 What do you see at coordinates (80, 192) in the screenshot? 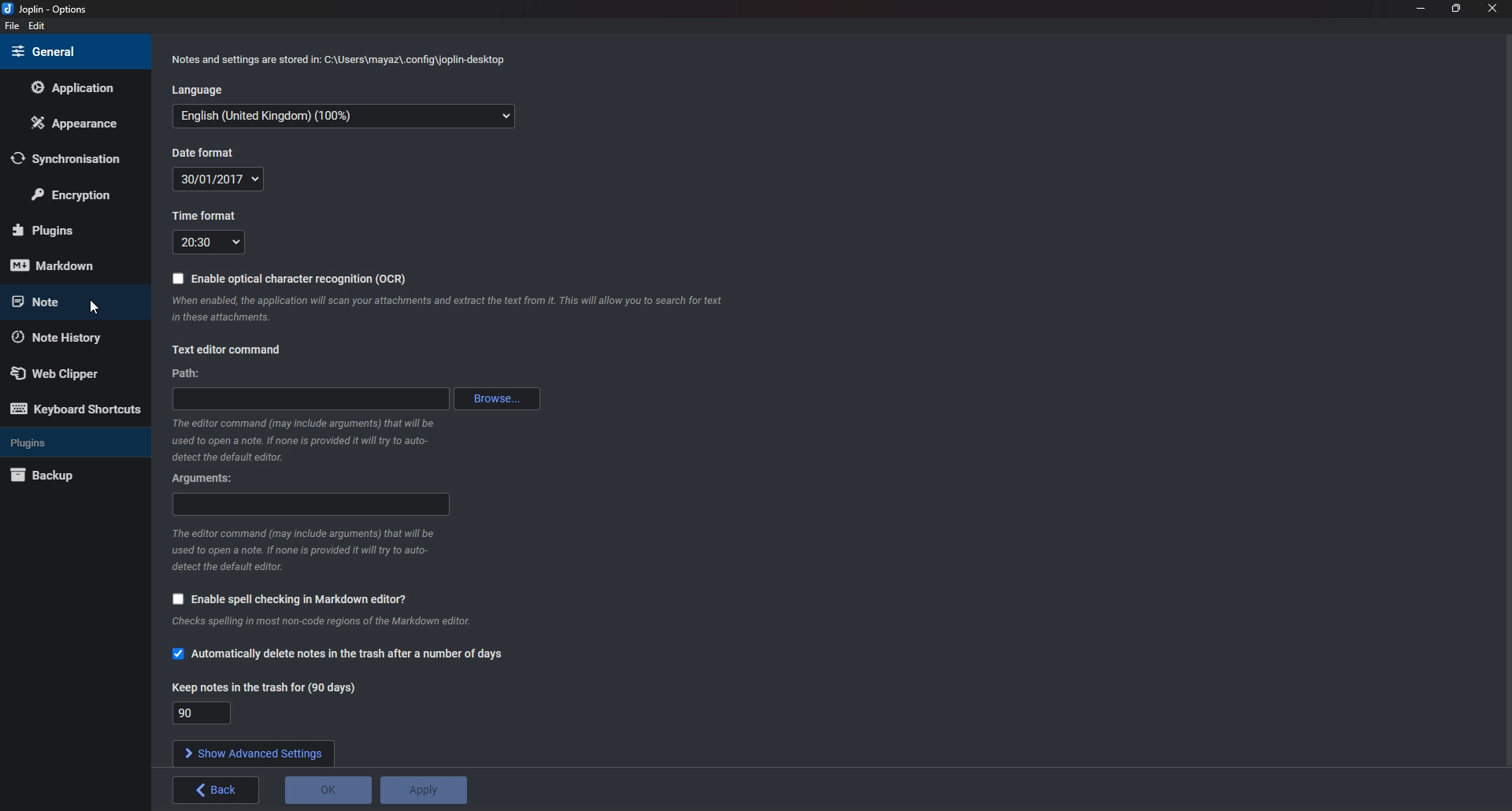
I see `Encryption` at bounding box center [80, 192].